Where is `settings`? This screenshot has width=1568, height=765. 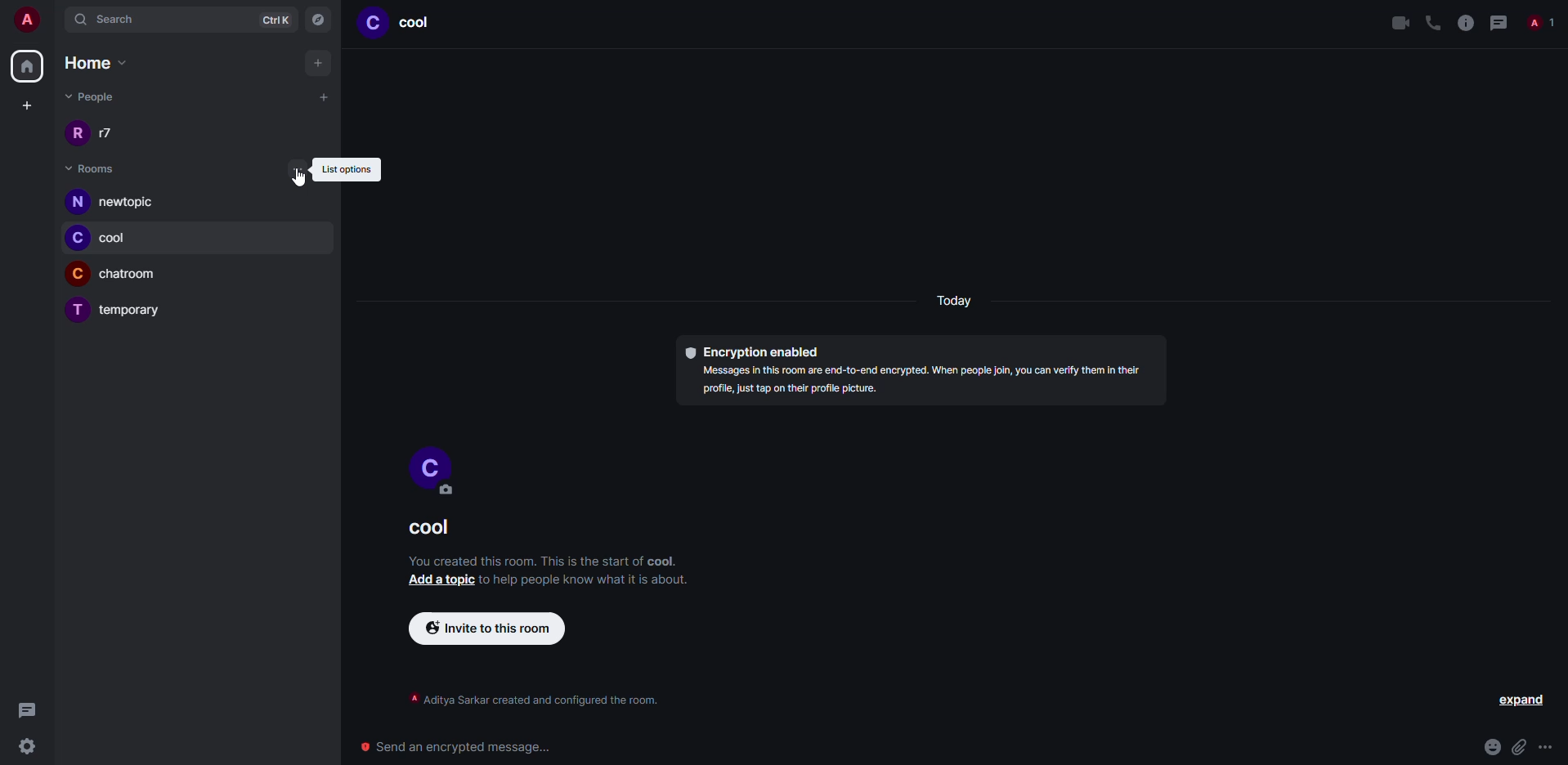 settings is located at coordinates (24, 748).